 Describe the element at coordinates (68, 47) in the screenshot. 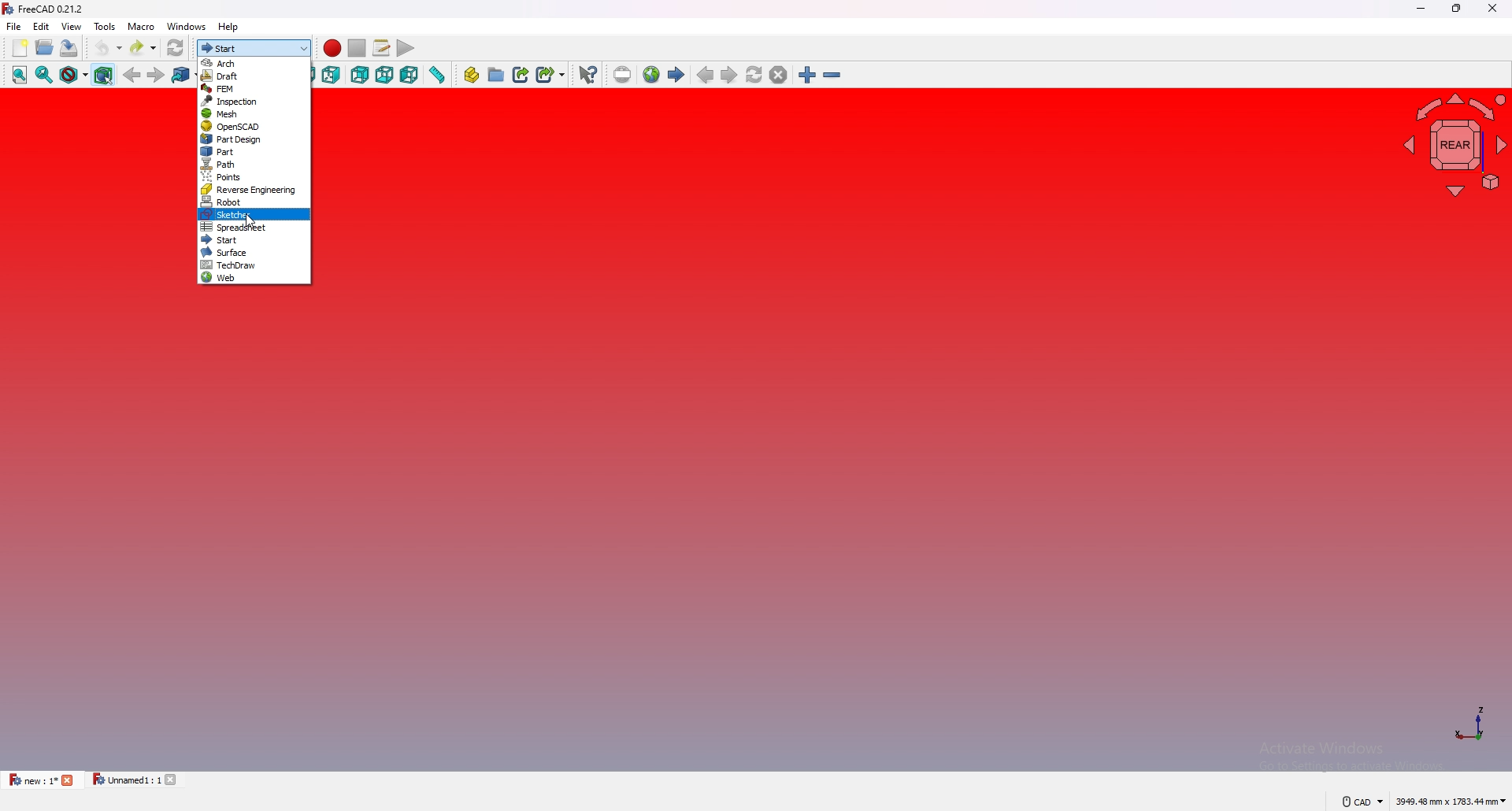

I see `save` at that location.